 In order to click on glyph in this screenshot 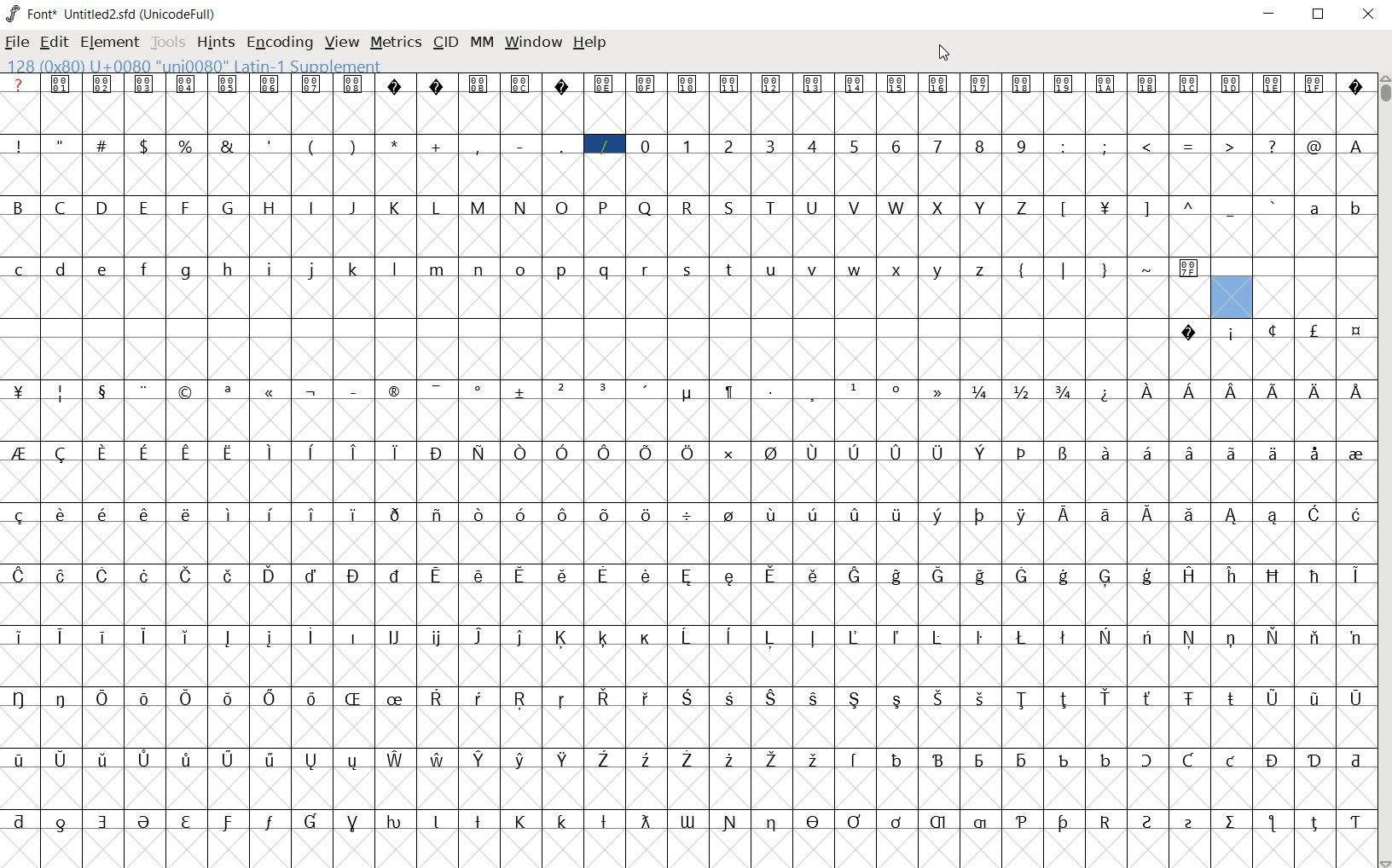, I will do `click(438, 639)`.